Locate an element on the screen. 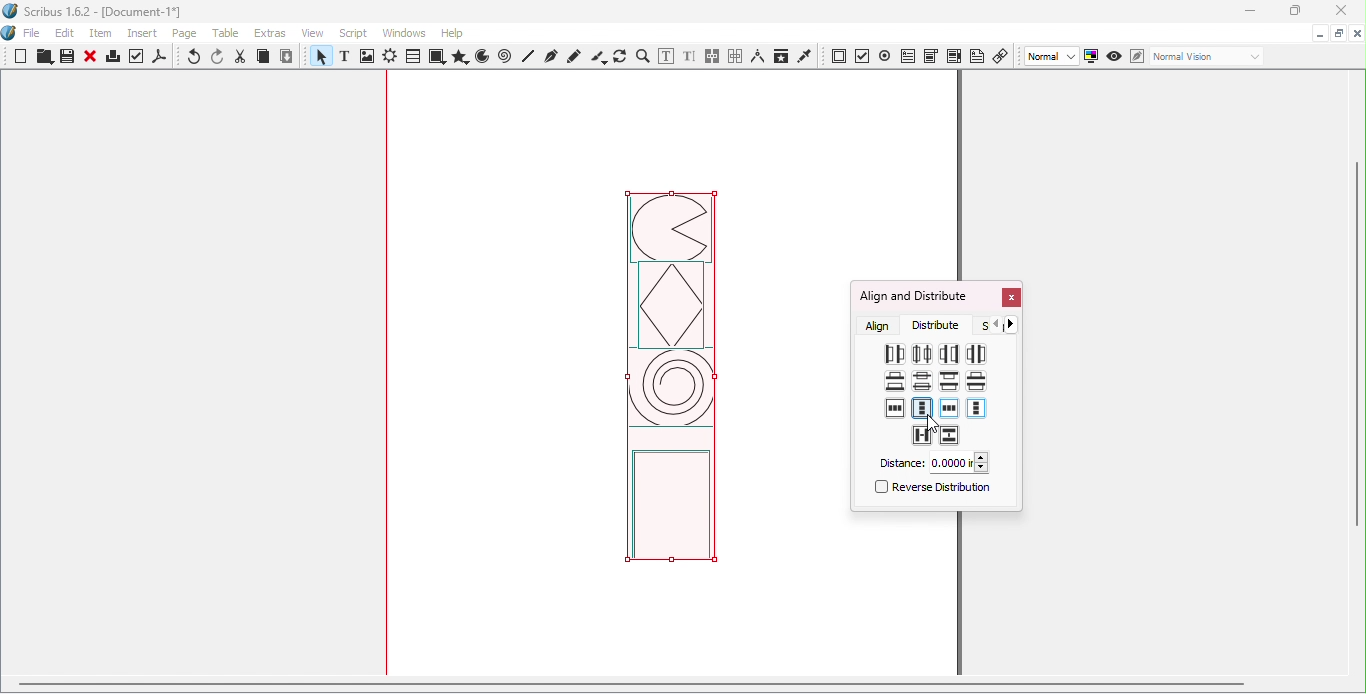 This screenshot has height=694, width=1366. Copy is located at coordinates (263, 58).